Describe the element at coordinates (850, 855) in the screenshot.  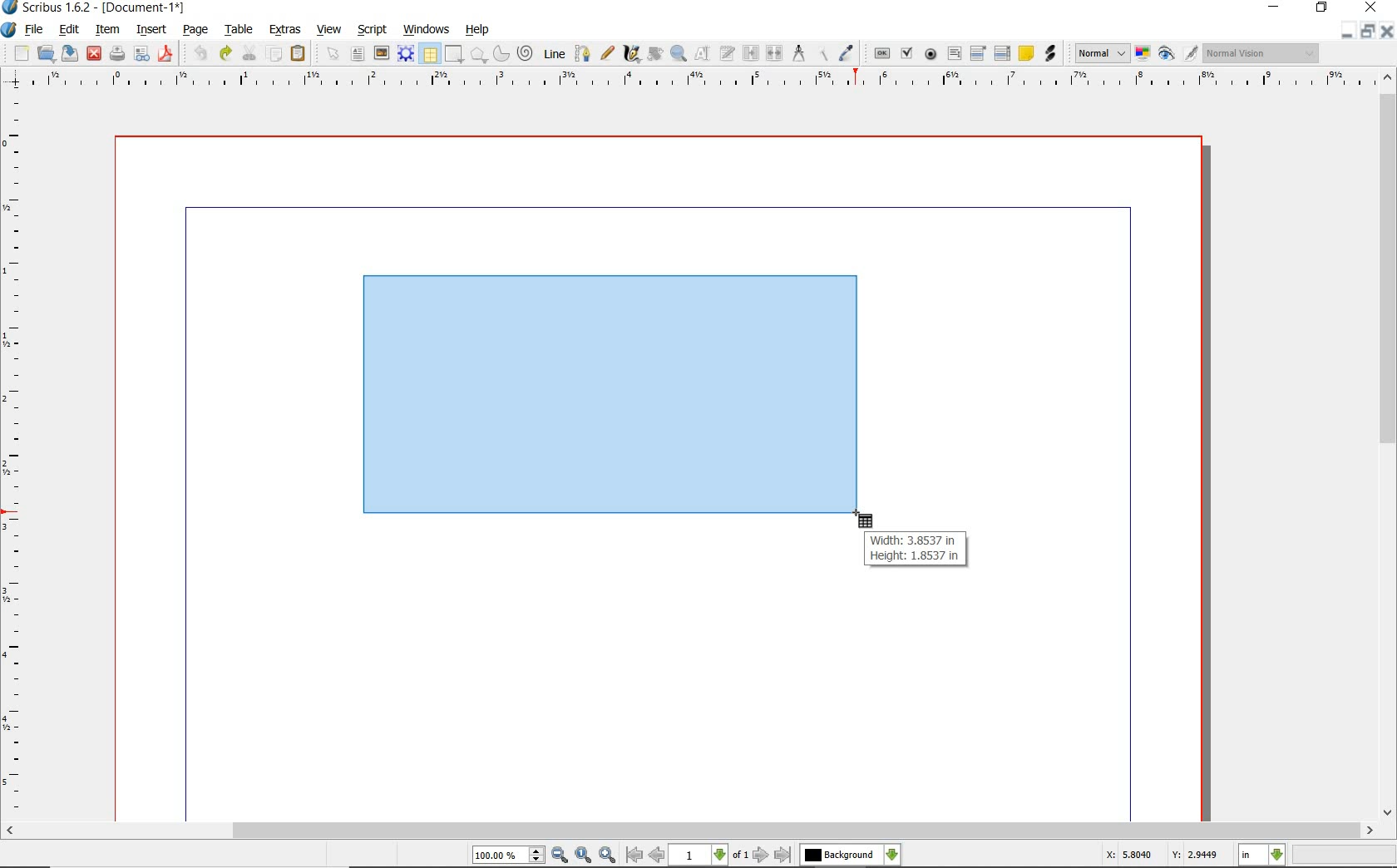
I see `select the current layer` at that location.